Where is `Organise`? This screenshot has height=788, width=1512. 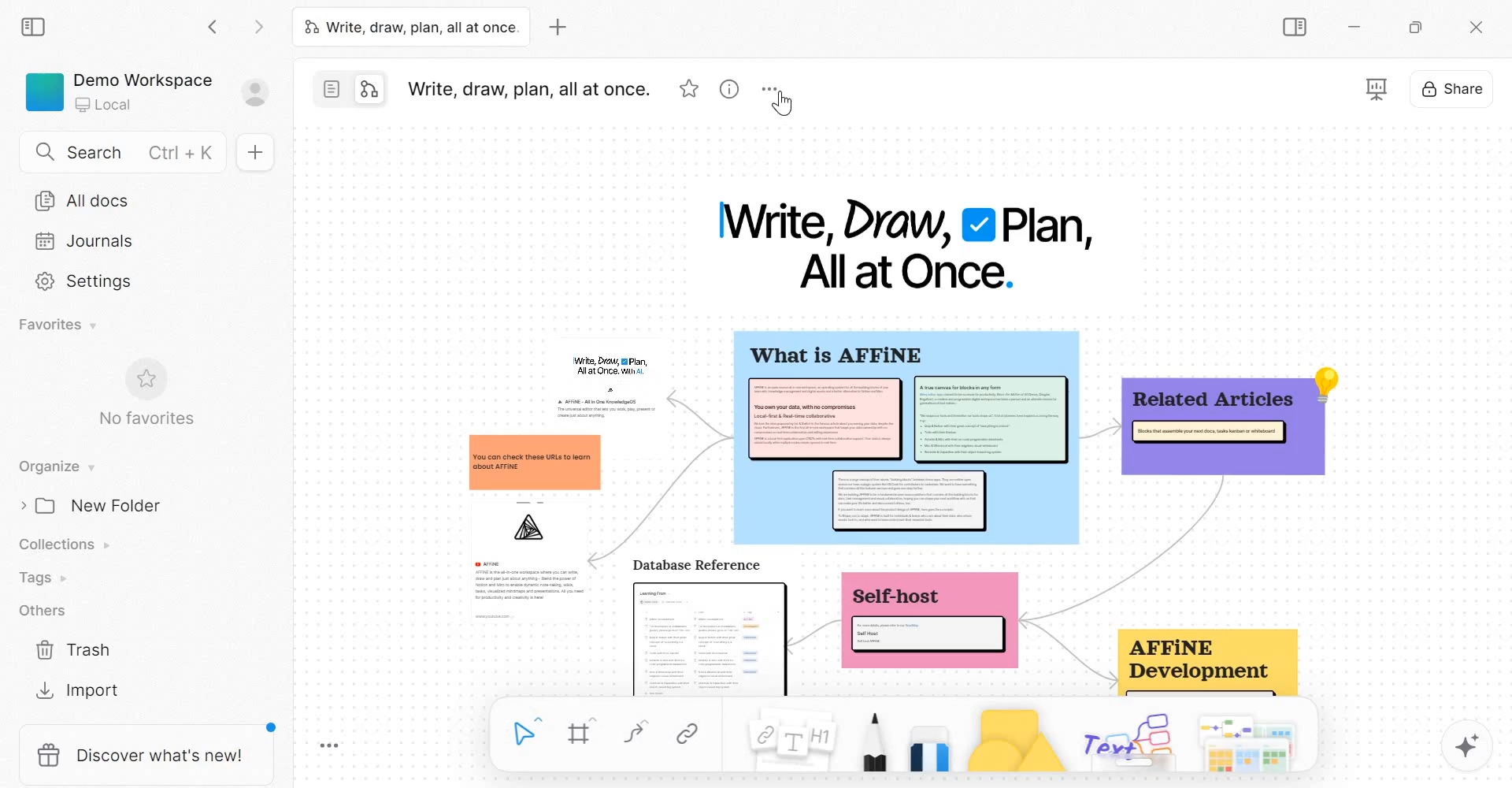 Organise is located at coordinates (54, 466).